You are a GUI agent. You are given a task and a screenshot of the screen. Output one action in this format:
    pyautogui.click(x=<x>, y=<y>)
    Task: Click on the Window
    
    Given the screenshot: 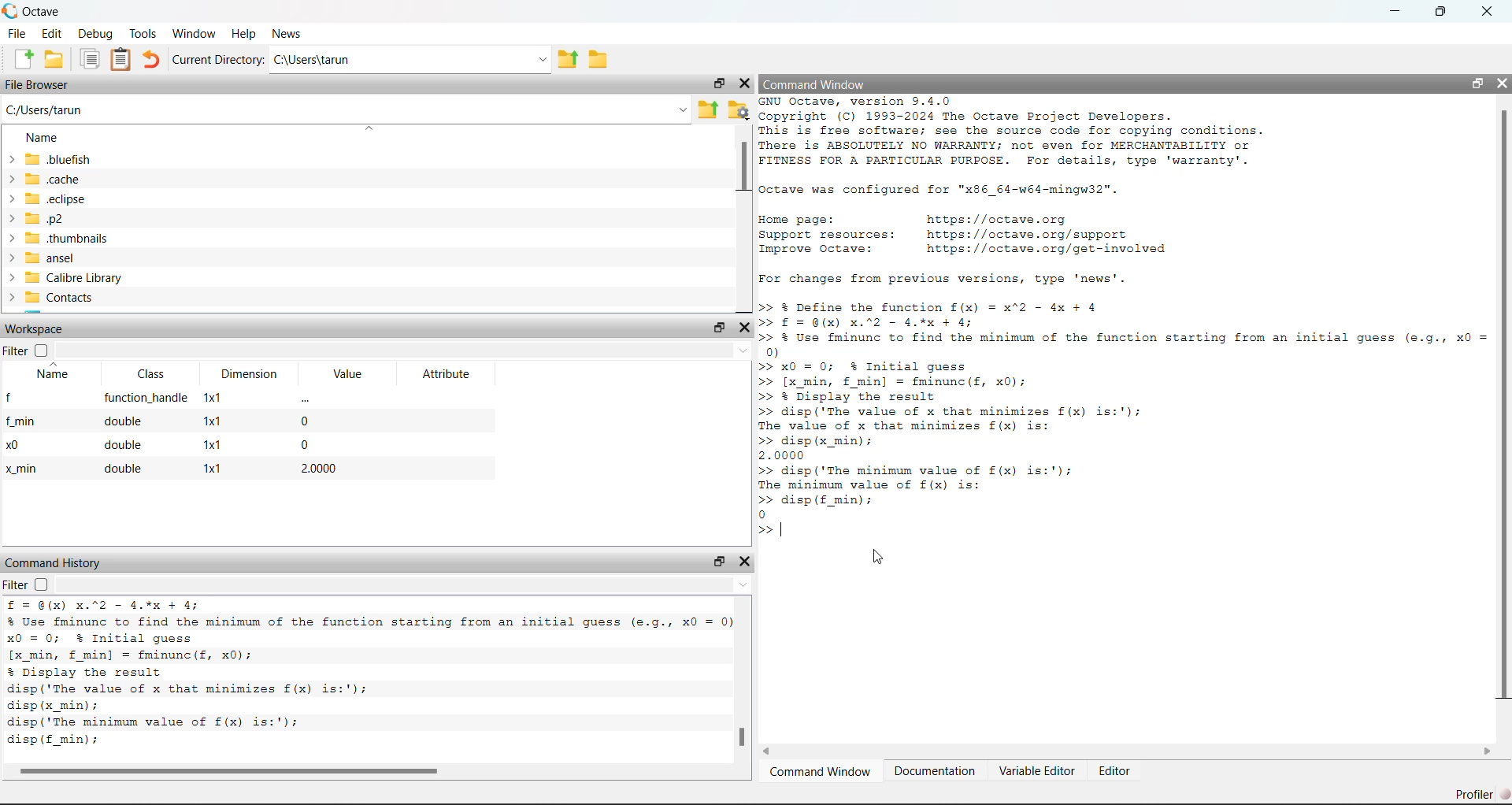 What is the action you would take?
    pyautogui.click(x=194, y=32)
    